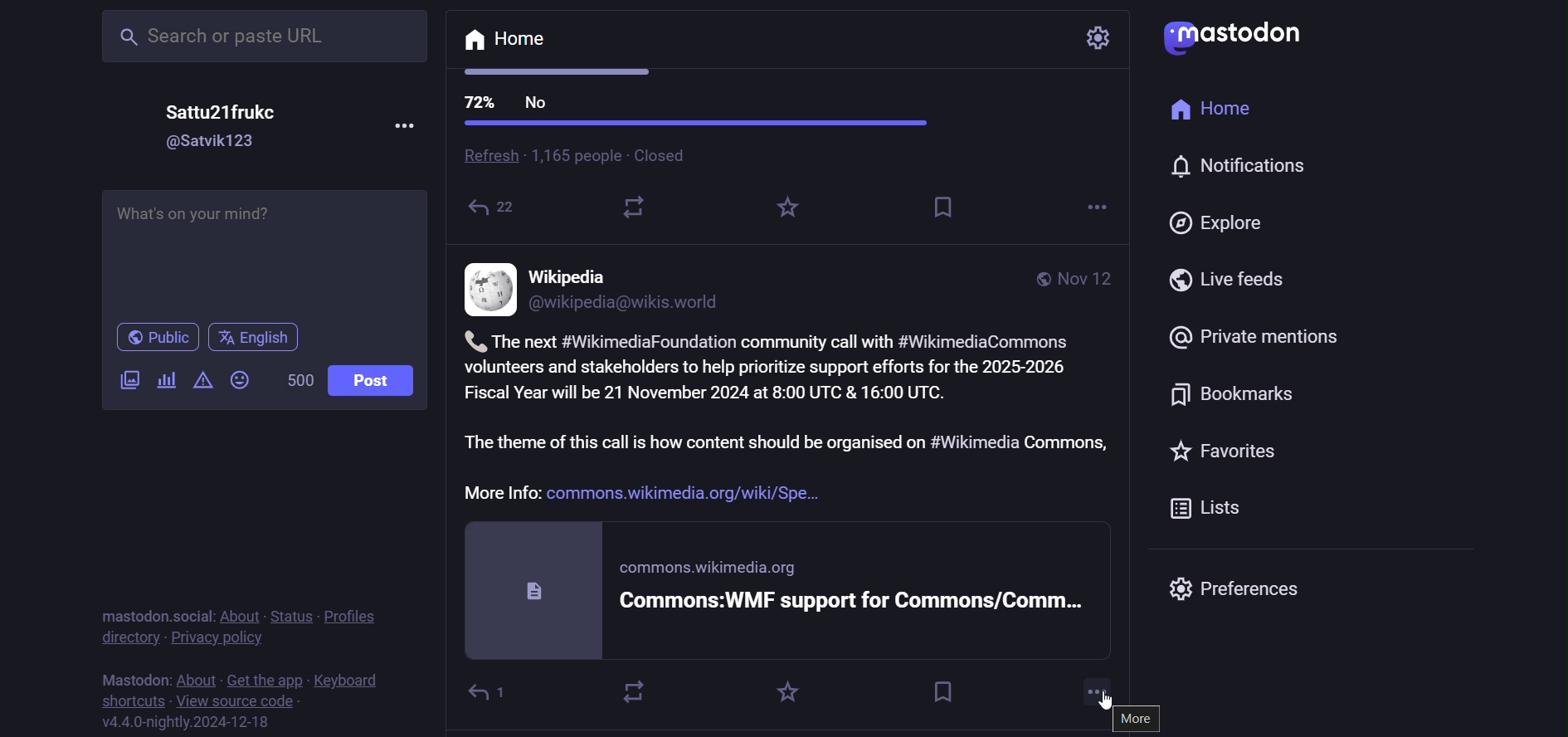 The width and height of the screenshot is (1568, 737). Describe the element at coordinates (1245, 397) in the screenshot. I see `bookmark` at that location.